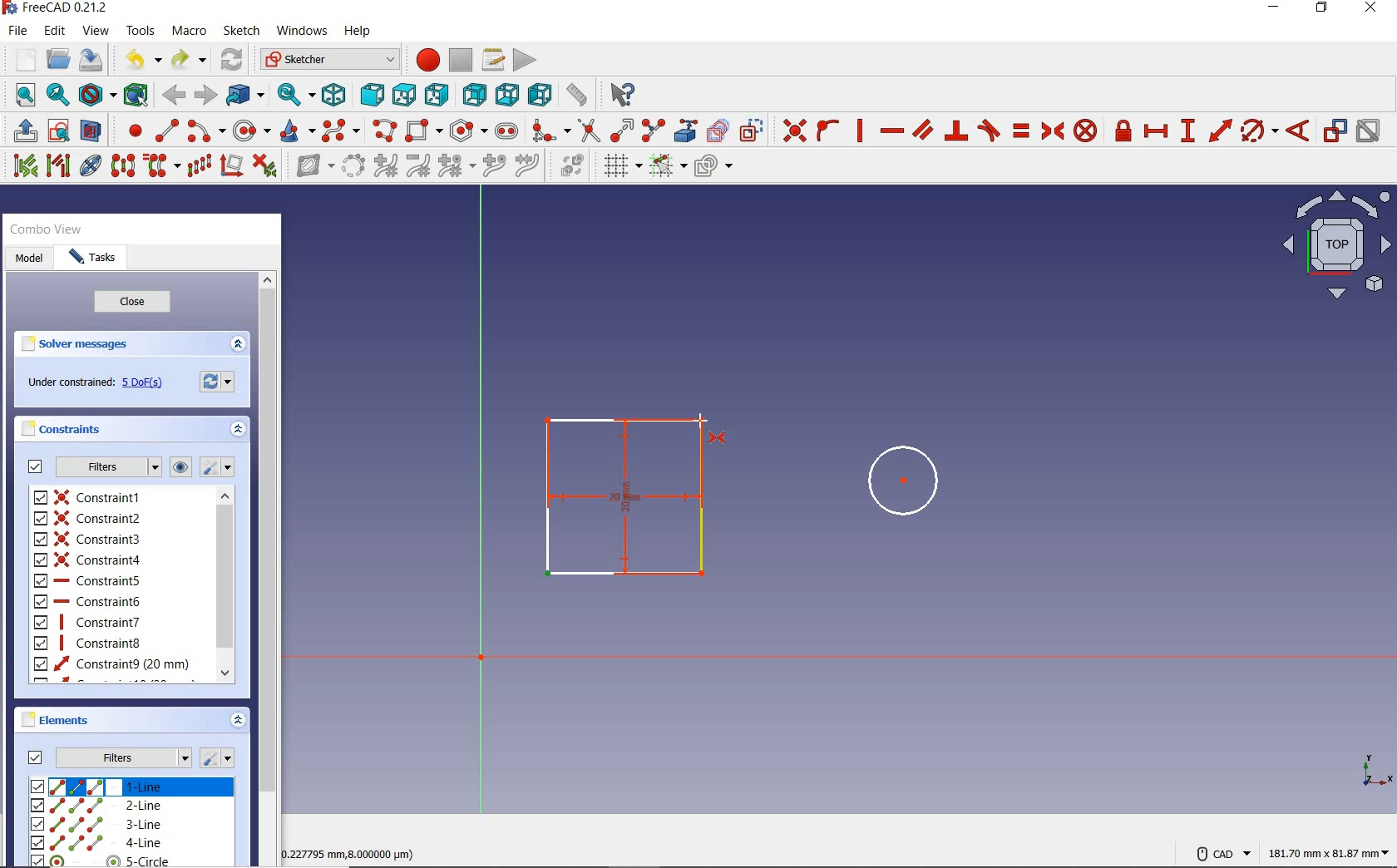 The image size is (1397, 868). I want to click on constraint symmetrical tool, so click(721, 440).